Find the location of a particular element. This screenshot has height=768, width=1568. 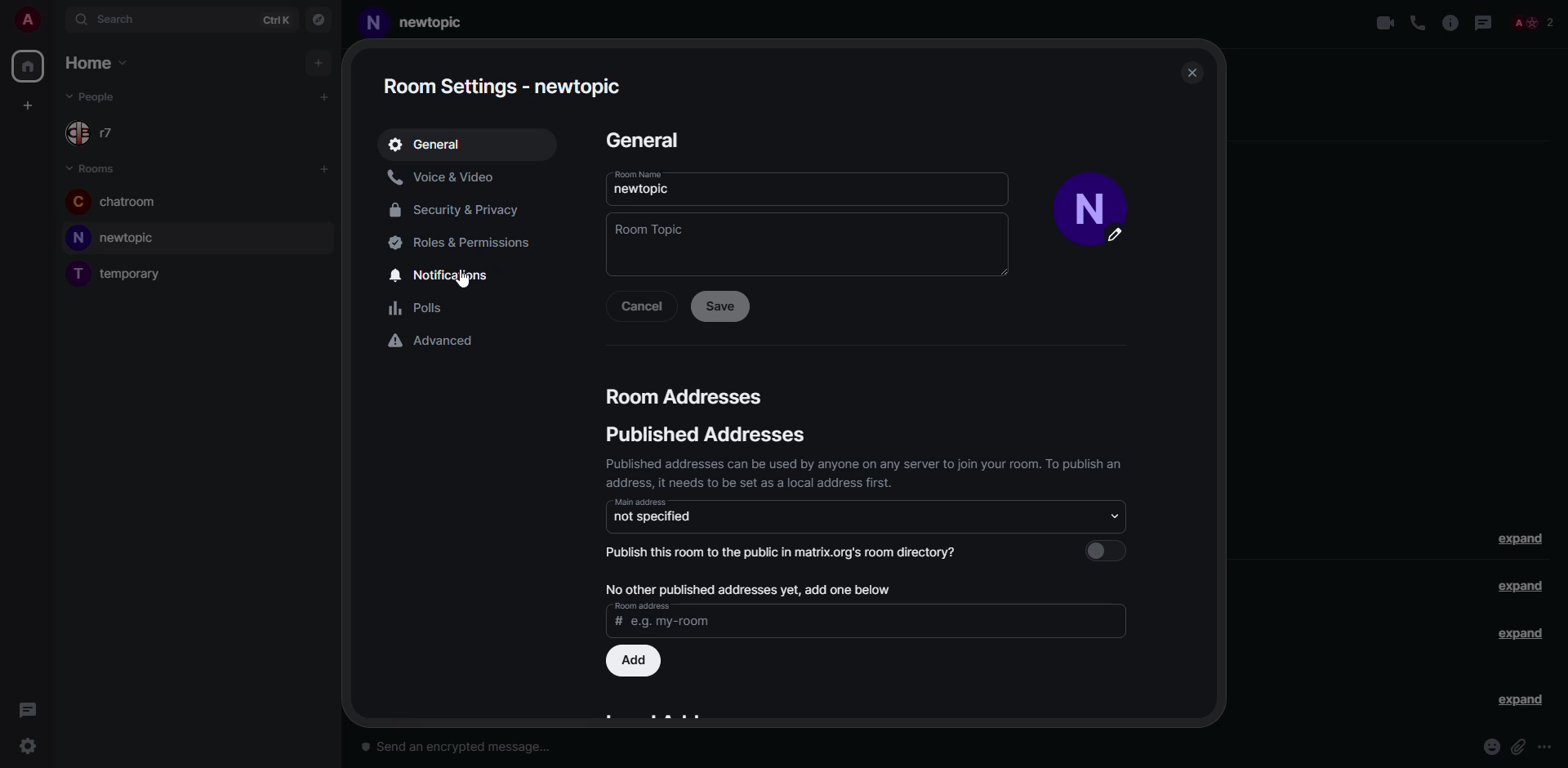

rooms is located at coordinates (95, 169).